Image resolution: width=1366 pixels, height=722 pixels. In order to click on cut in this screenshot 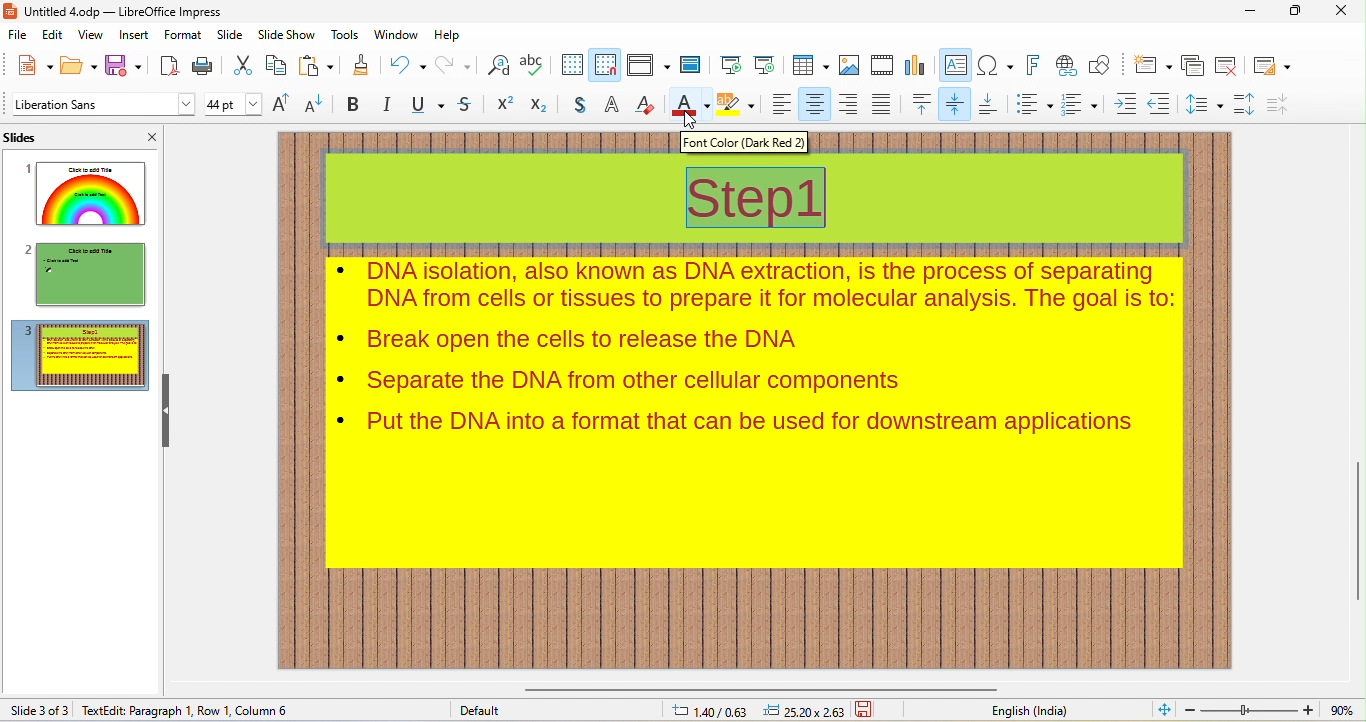, I will do `click(244, 65)`.